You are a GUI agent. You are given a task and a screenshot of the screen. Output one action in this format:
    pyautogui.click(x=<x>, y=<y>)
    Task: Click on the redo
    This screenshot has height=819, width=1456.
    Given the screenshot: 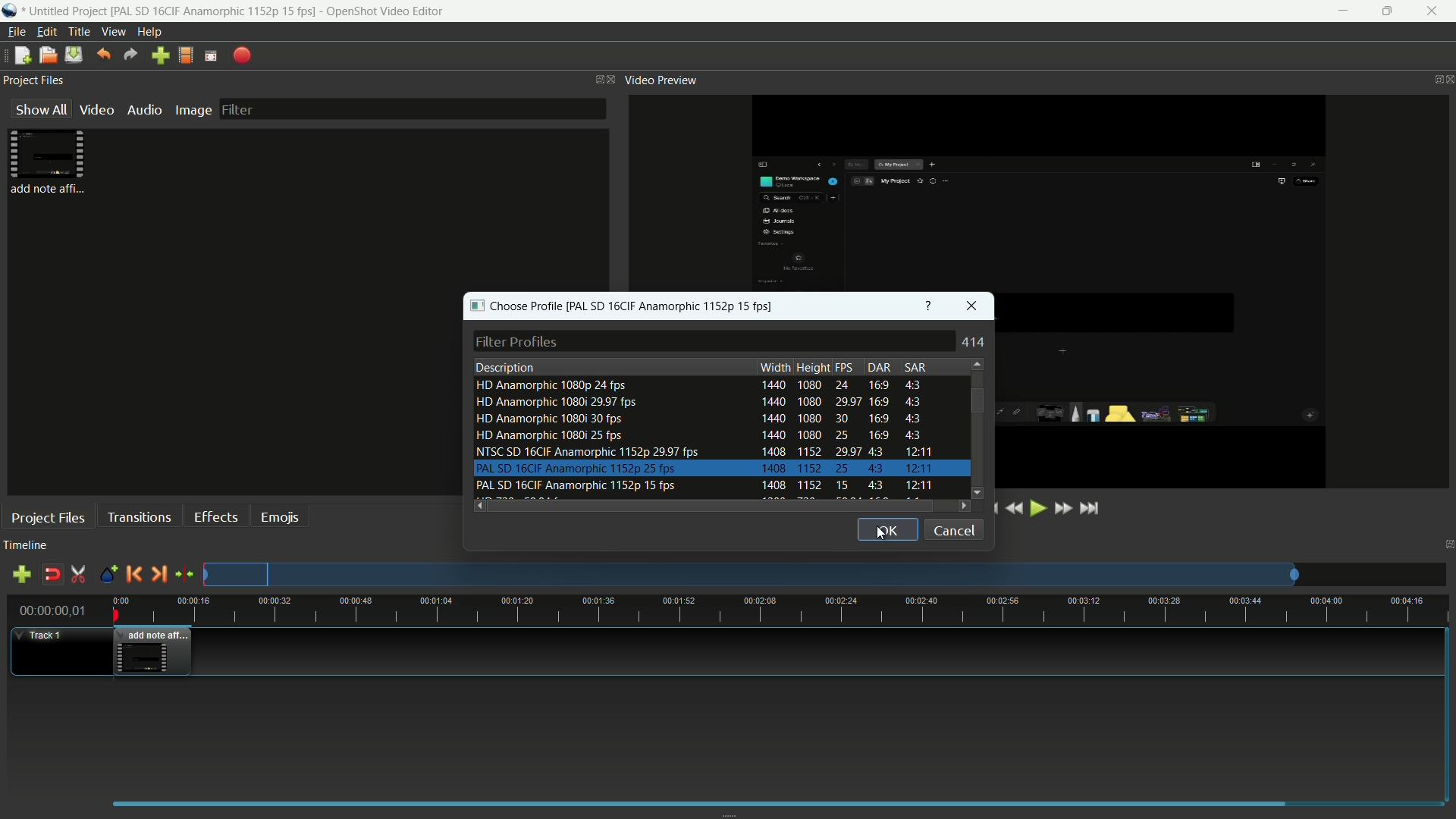 What is the action you would take?
    pyautogui.click(x=128, y=55)
    